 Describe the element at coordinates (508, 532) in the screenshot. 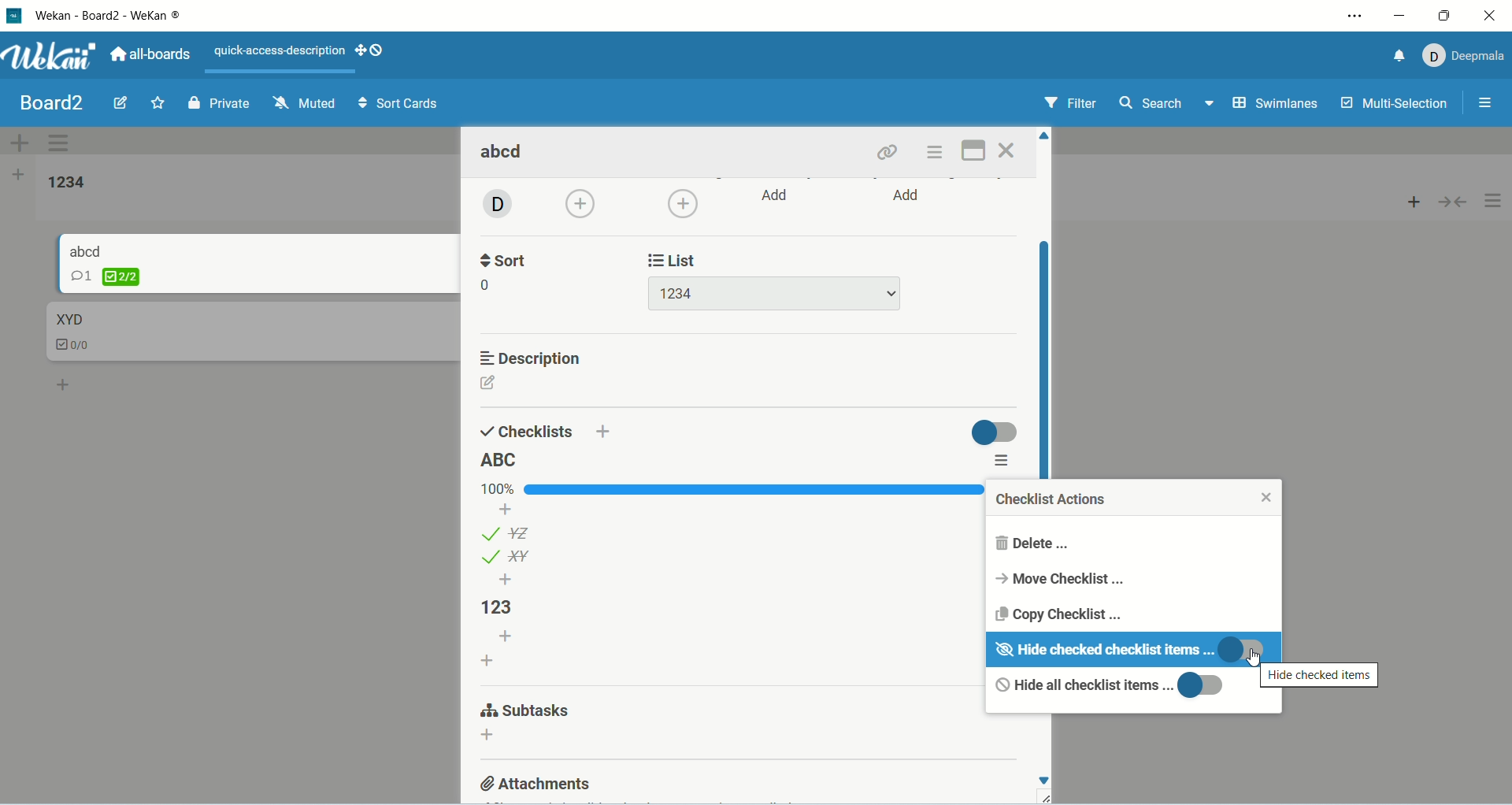

I see `list` at that location.